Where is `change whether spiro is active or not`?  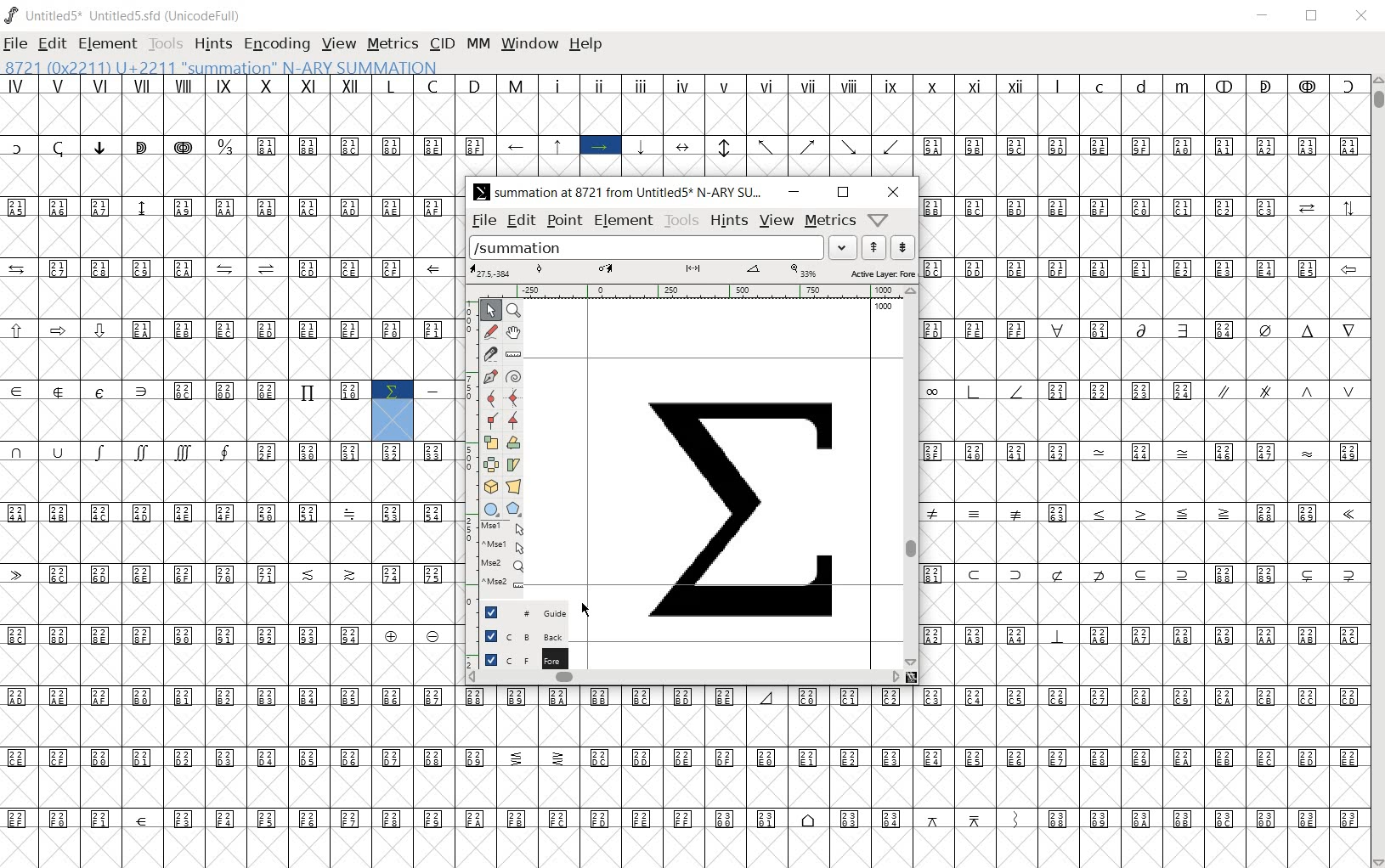
change whether spiro is active or not is located at coordinates (514, 375).